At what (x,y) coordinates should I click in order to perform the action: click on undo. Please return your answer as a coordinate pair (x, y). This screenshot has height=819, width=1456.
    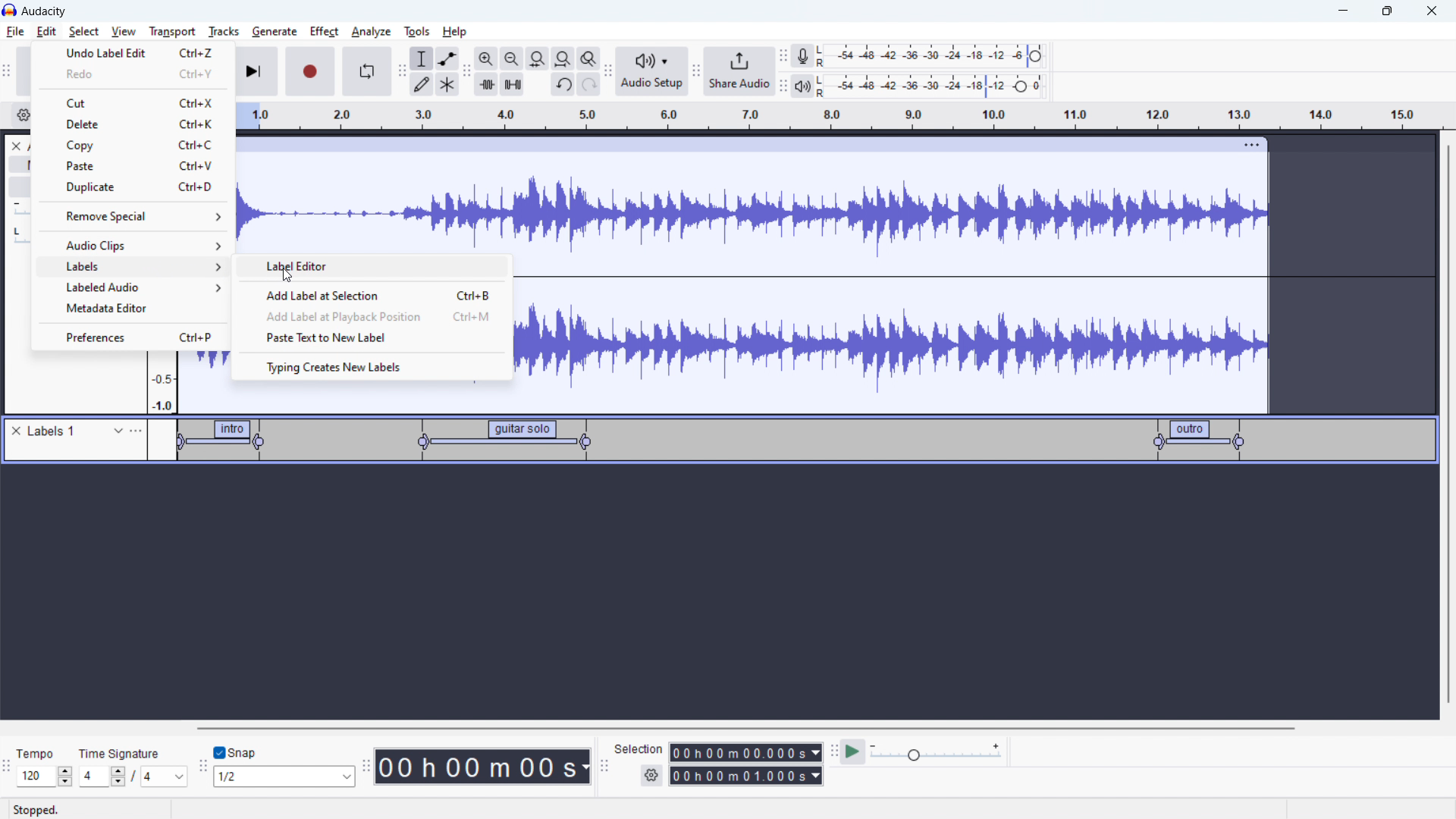
    Looking at the image, I should click on (563, 86).